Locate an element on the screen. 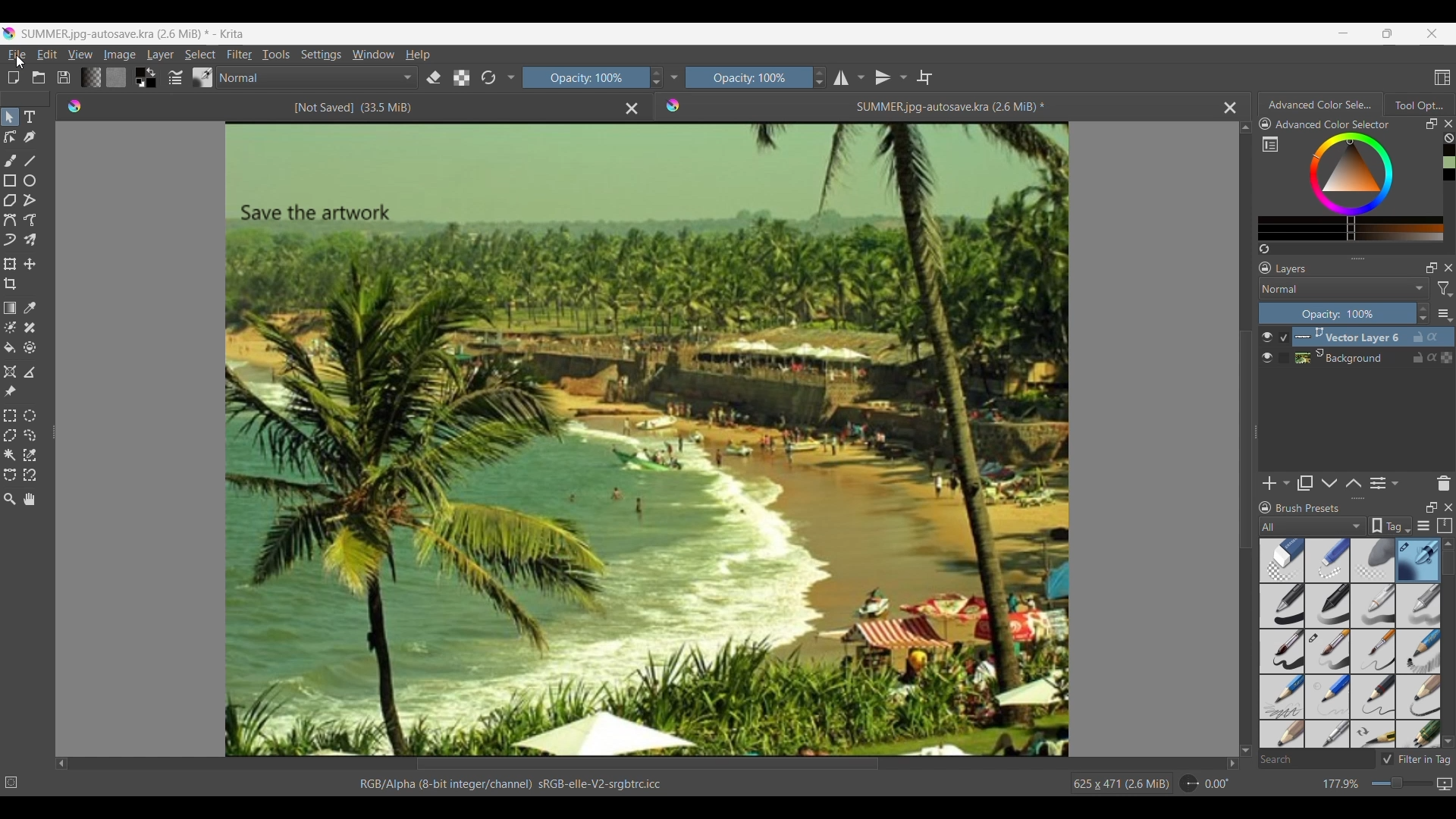 This screenshot has height=819, width=1456. Quick slide to bottom is located at coordinates (1448, 742).